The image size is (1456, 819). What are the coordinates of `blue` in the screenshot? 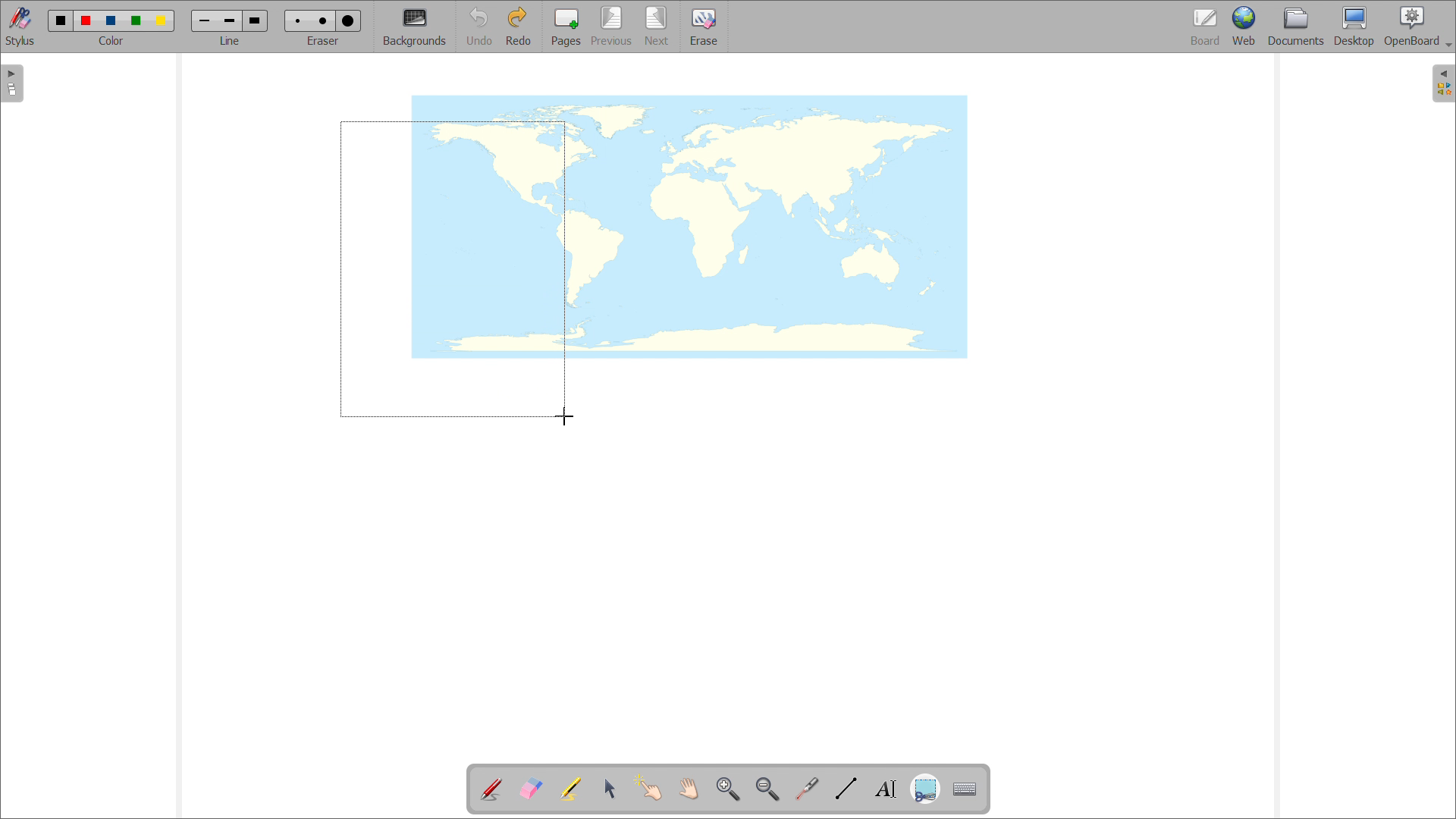 It's located at (111, 21).